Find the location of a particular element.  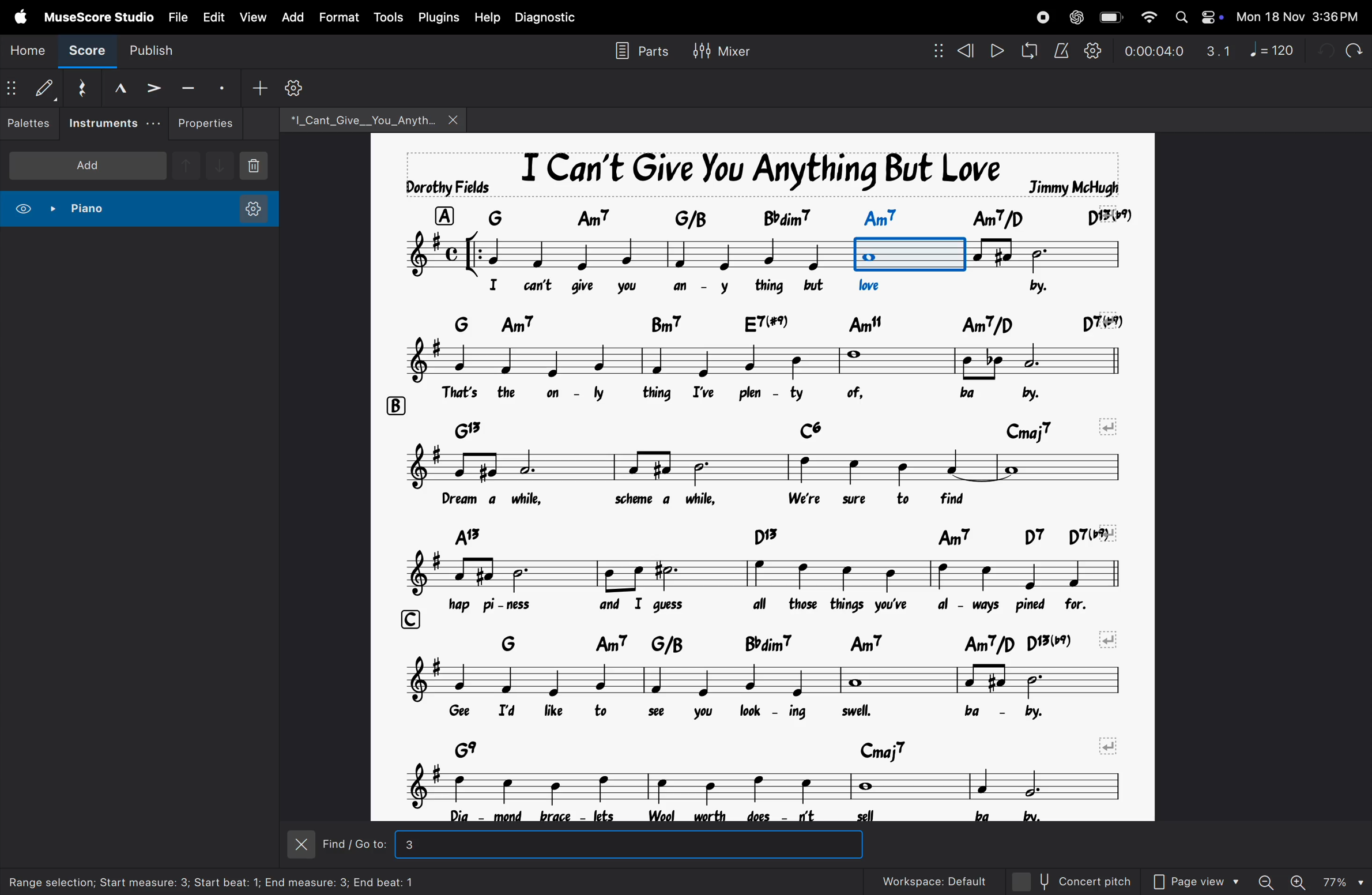

chord symbols is located at coordinates (783, 426).